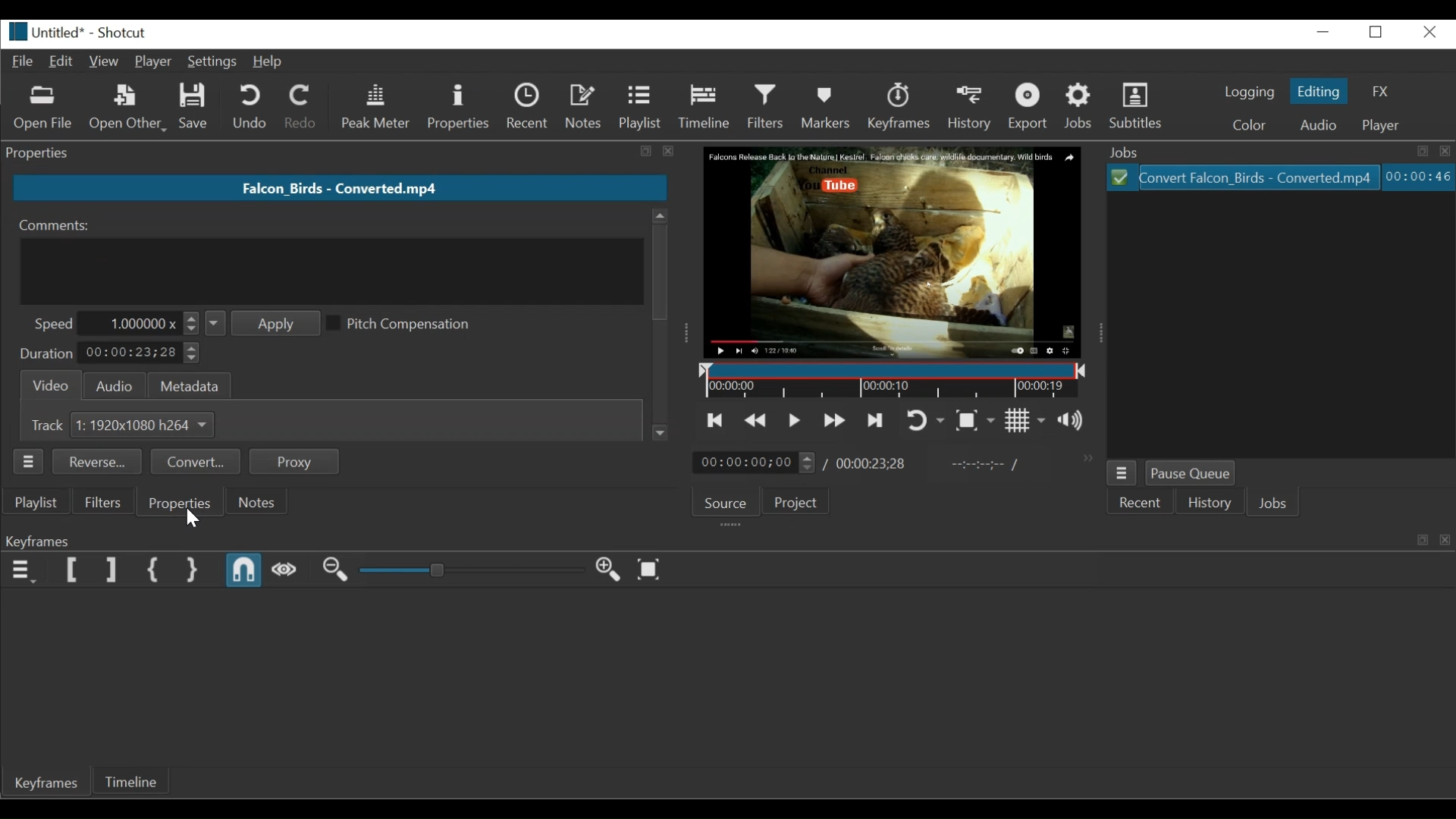 The width and height of the screenshot is (1456, 819). Describe the element at coordinates (1250, 126) in the screenshot. I see `color` at that location.